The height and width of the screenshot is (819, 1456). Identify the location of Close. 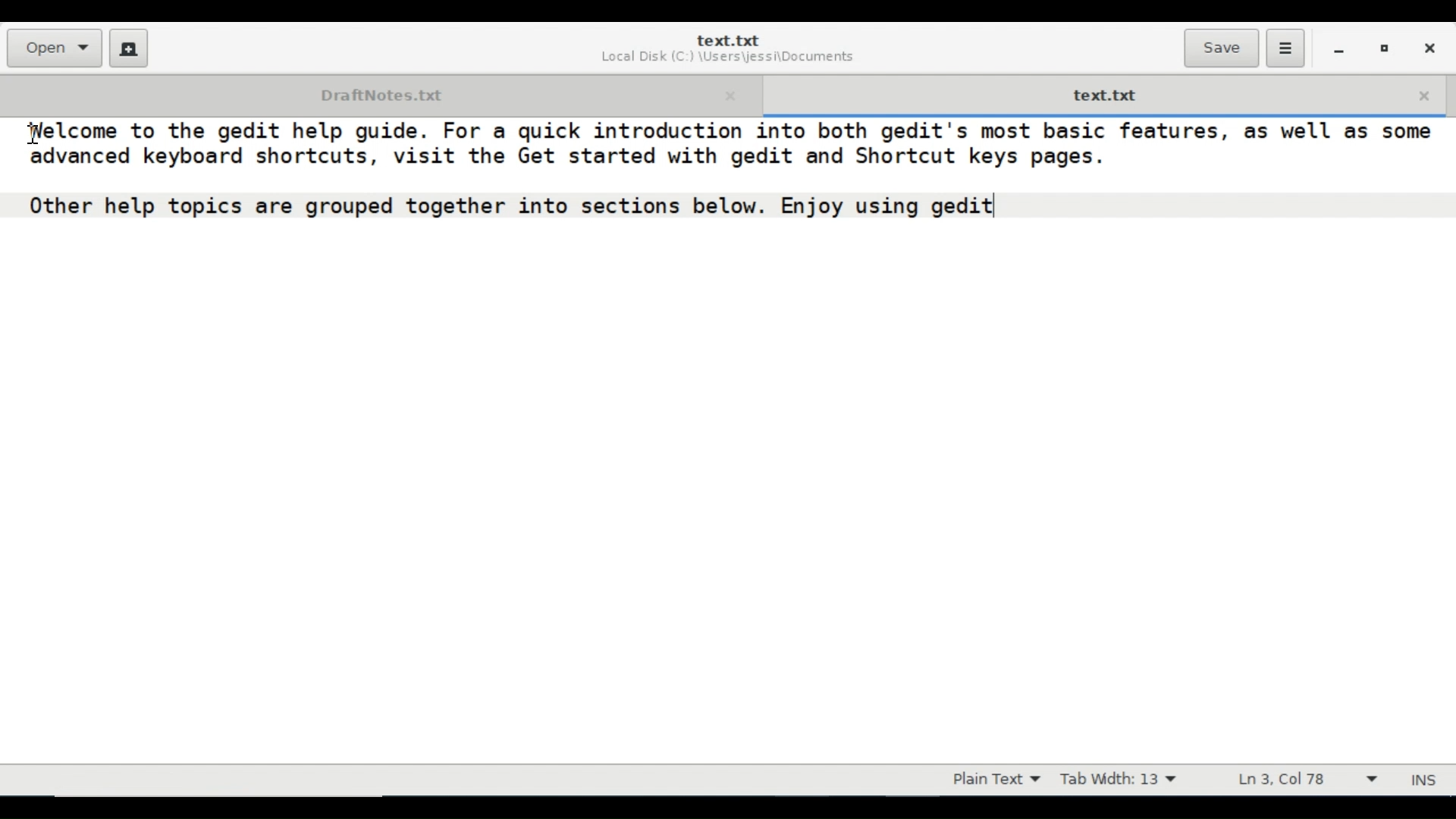
(1428, 46).